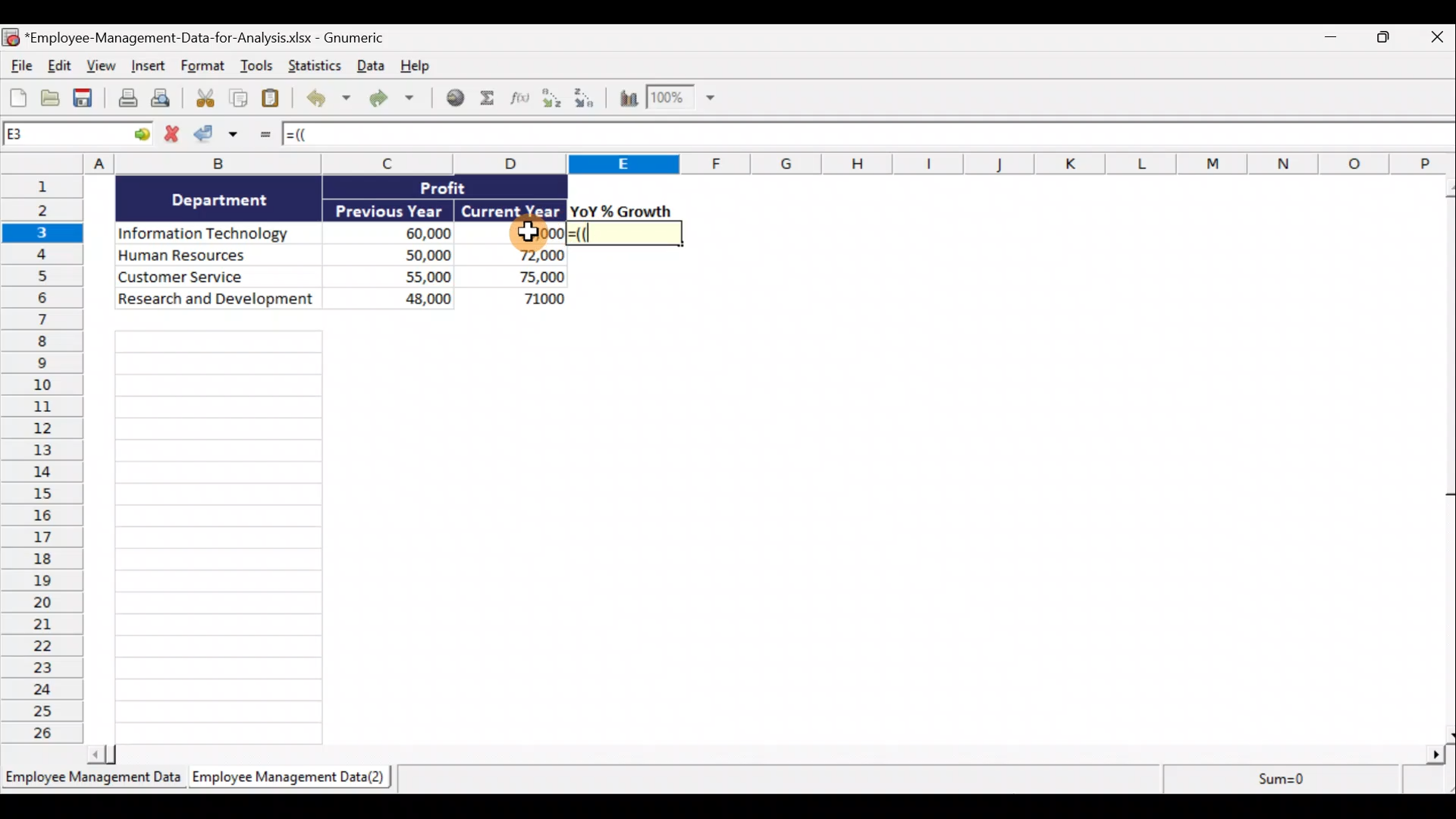  What do you see at coordinates (766, 757) in the screenshot?
I see `Scroll bar` at bounding box center [766, 757].